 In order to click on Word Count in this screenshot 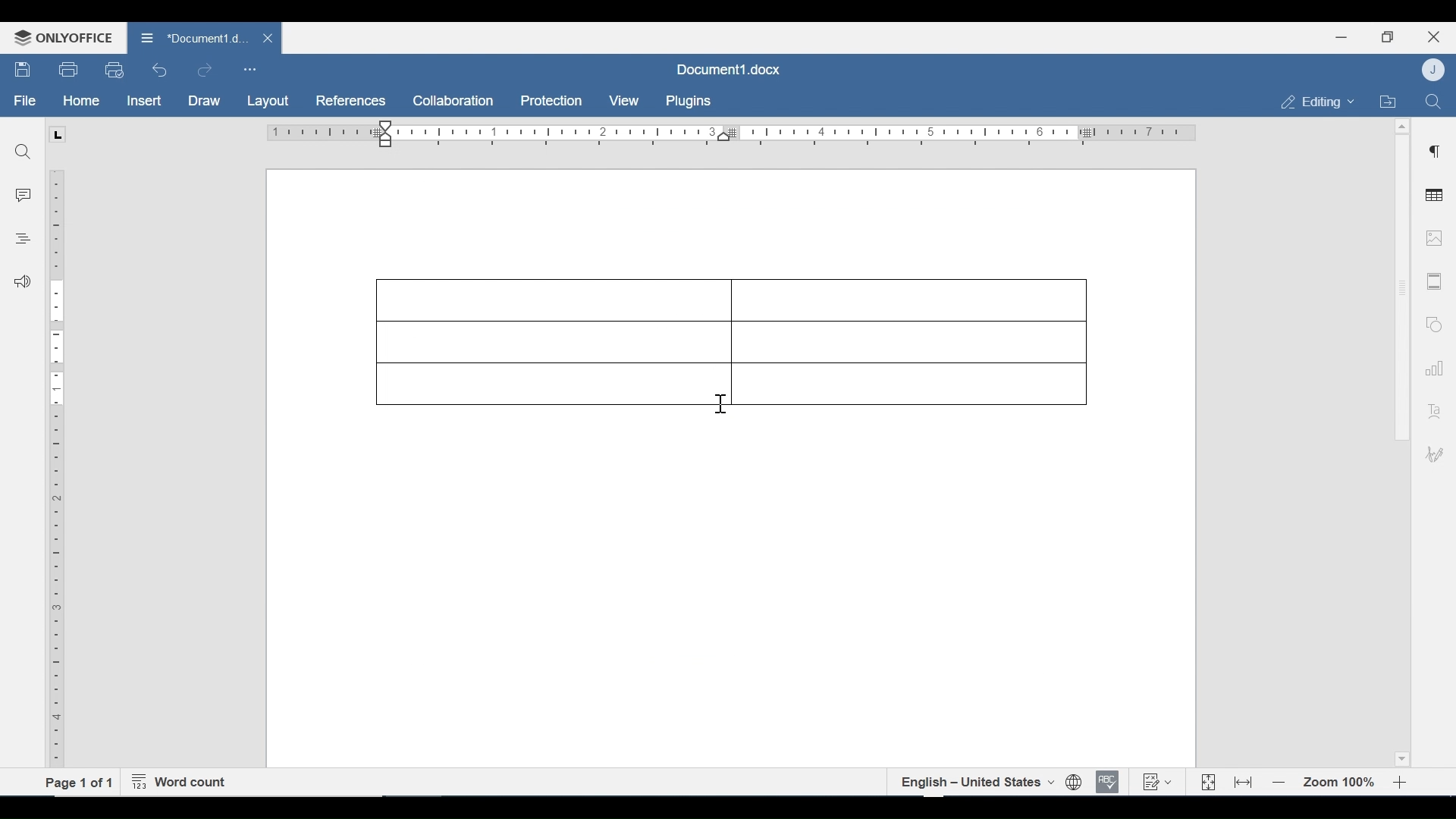, I will do `click(183, 783)`.